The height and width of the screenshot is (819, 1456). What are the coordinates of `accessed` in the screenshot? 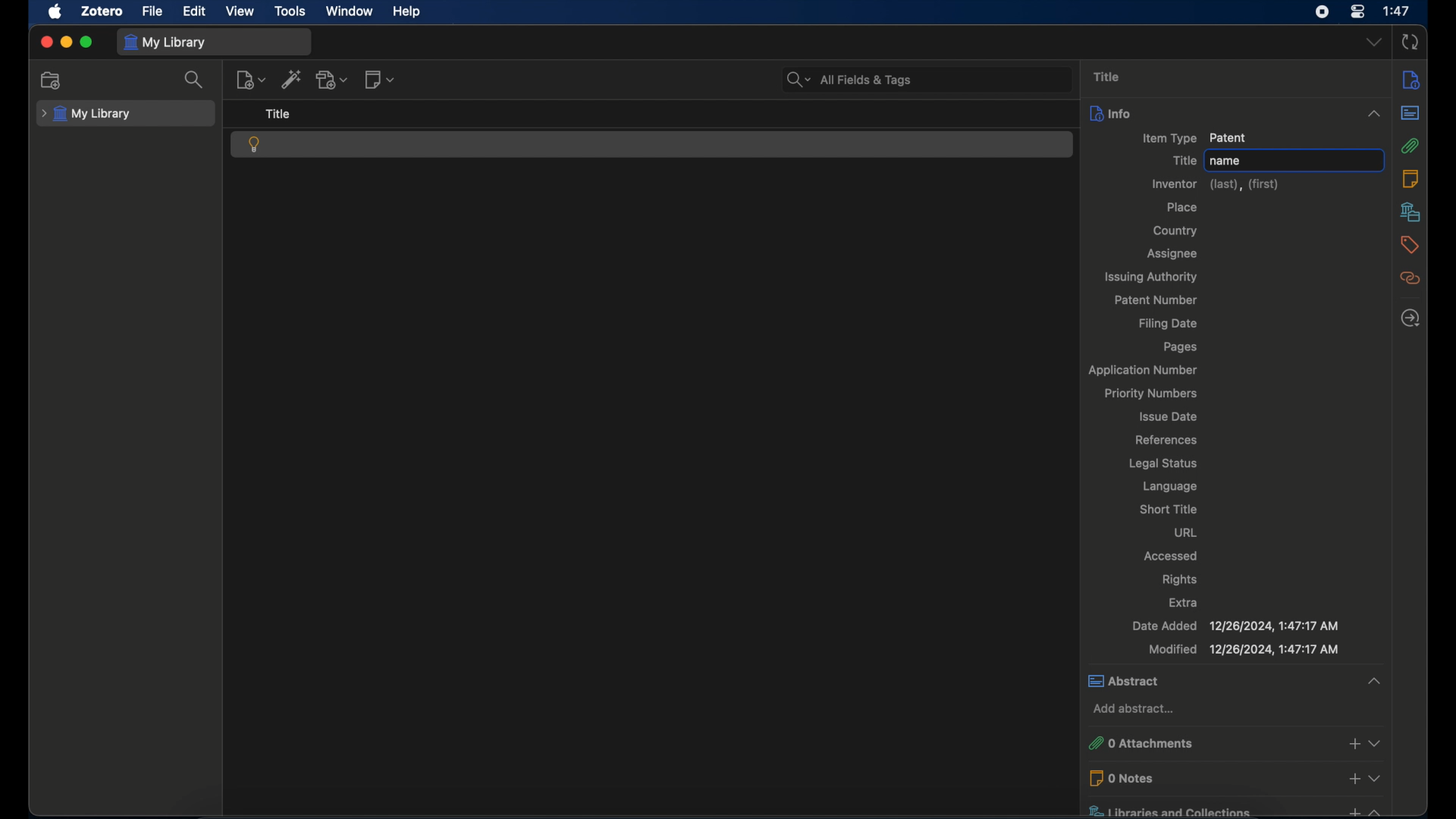 It's located at (1173, 556).